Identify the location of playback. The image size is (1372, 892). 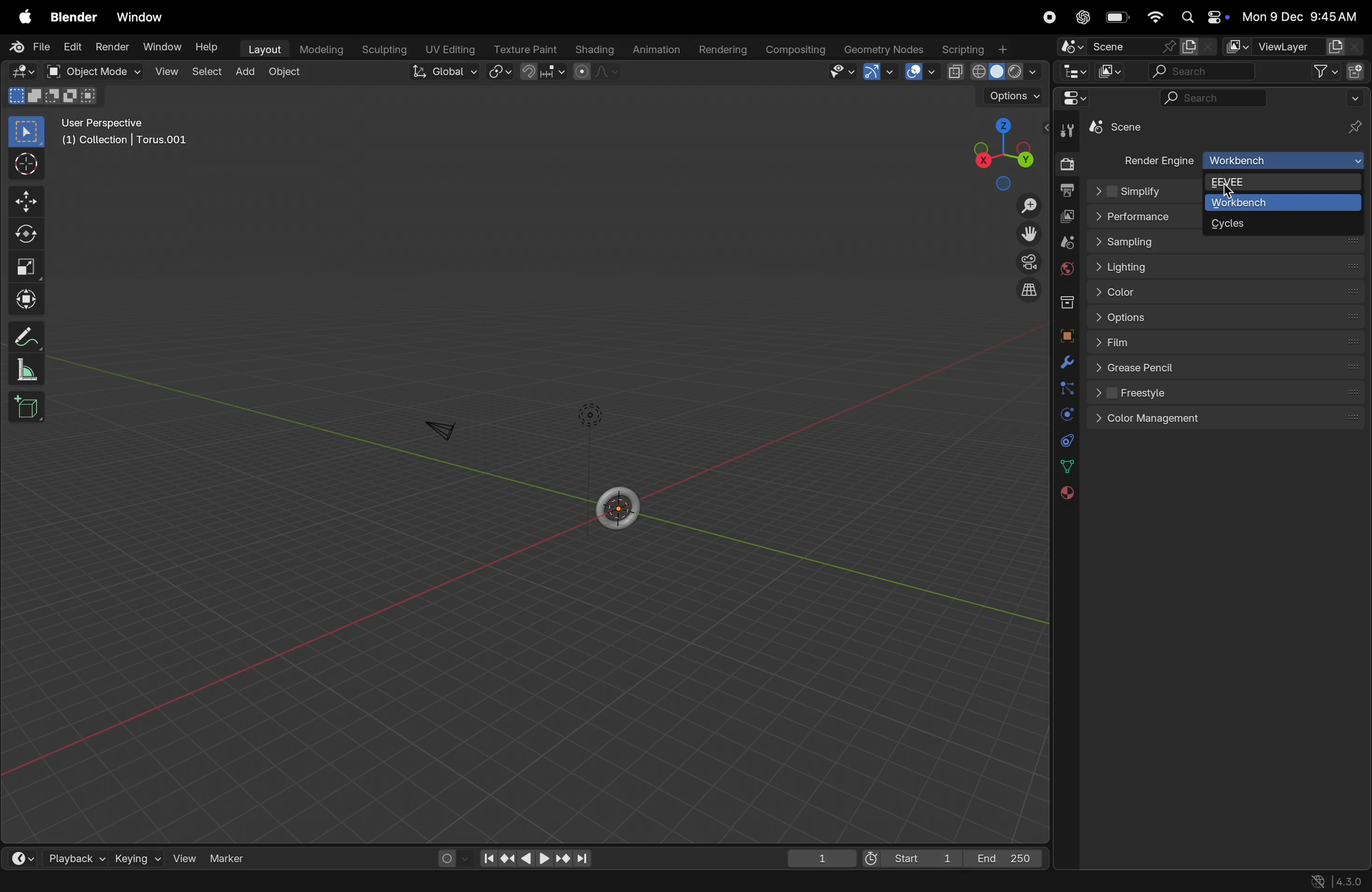
(72, 859).